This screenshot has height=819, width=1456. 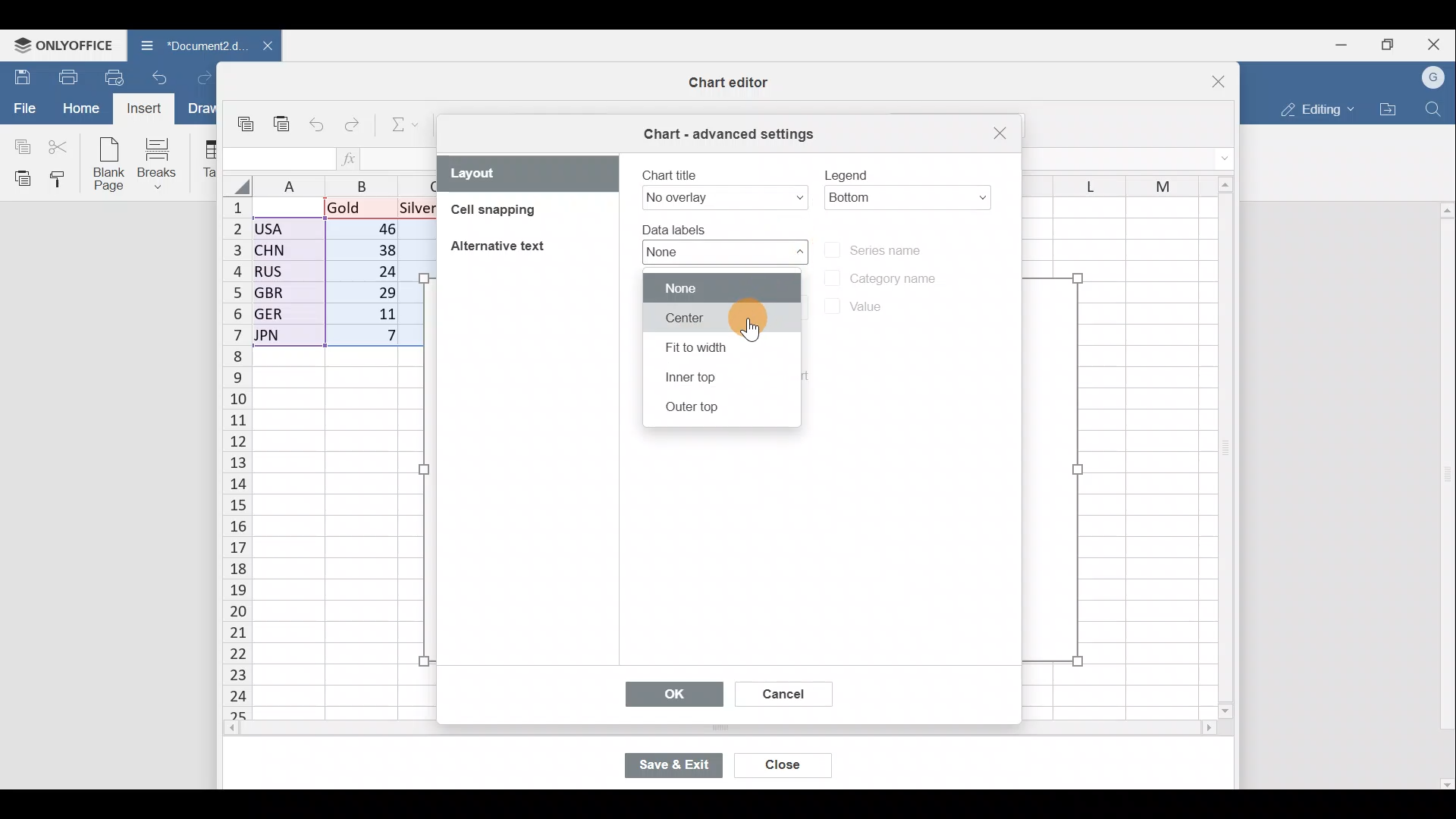 I want to click on Home, so click(x=80, y=108).